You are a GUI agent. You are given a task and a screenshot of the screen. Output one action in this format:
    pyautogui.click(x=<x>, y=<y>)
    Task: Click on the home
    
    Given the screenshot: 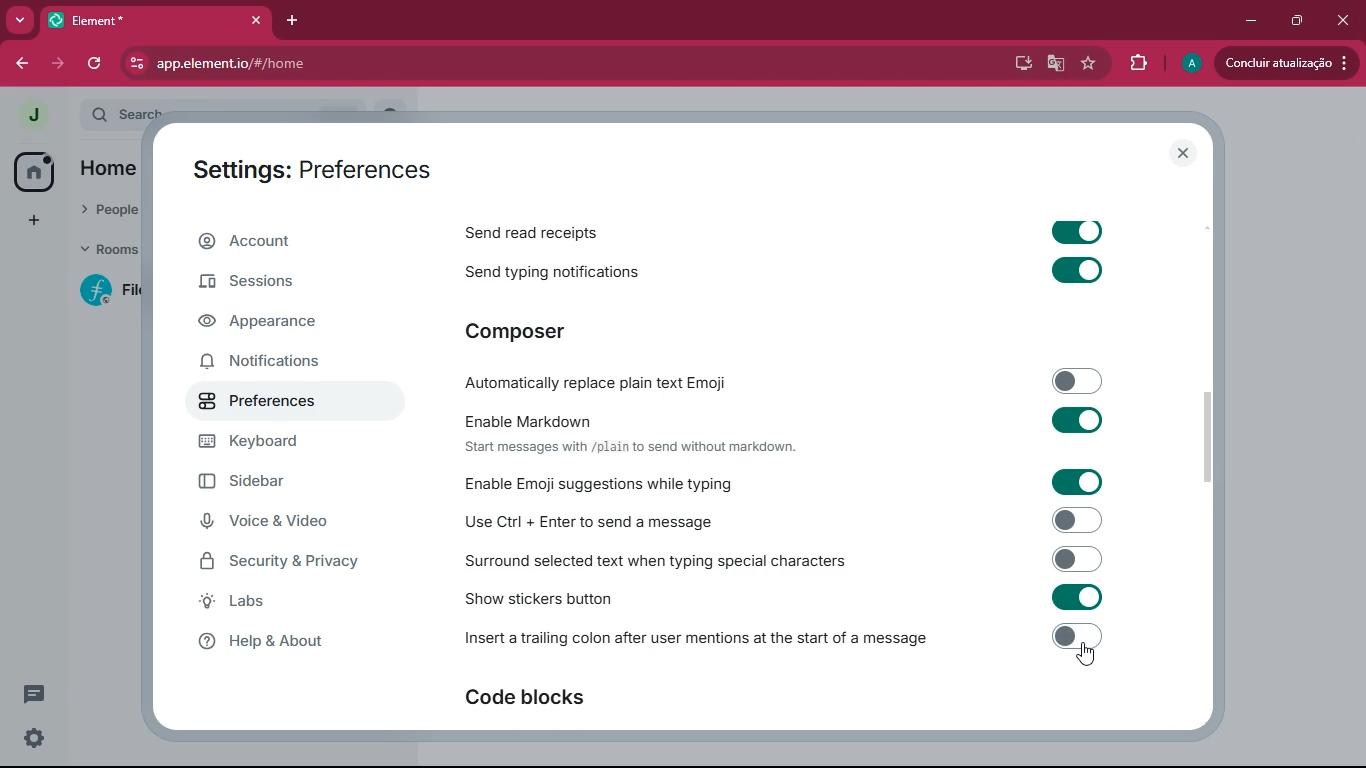 What is the action you would take?
    pyautogui.click(x=32, y=171)
    